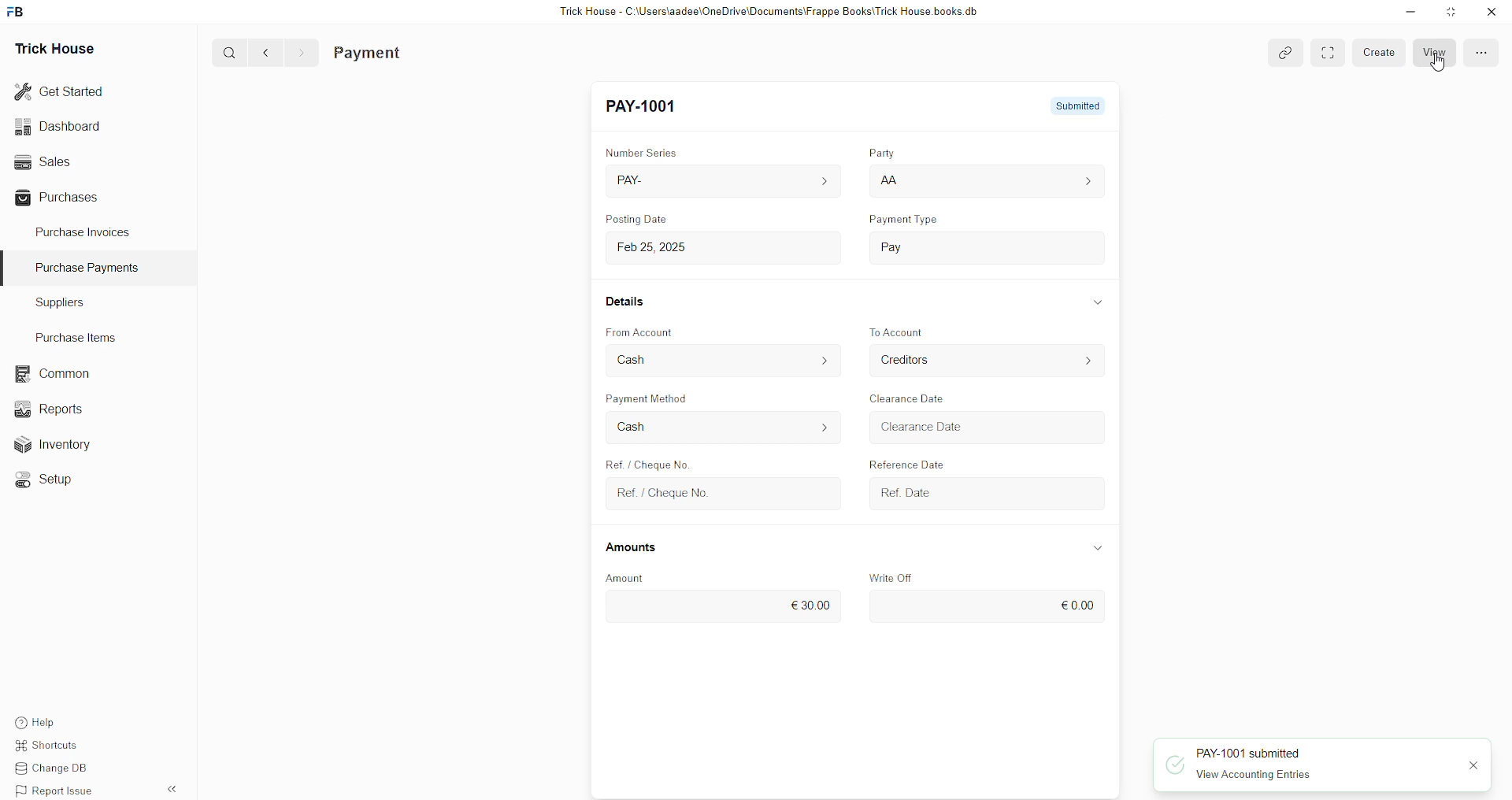  I want to click on Reference Date, so click(905, 461).